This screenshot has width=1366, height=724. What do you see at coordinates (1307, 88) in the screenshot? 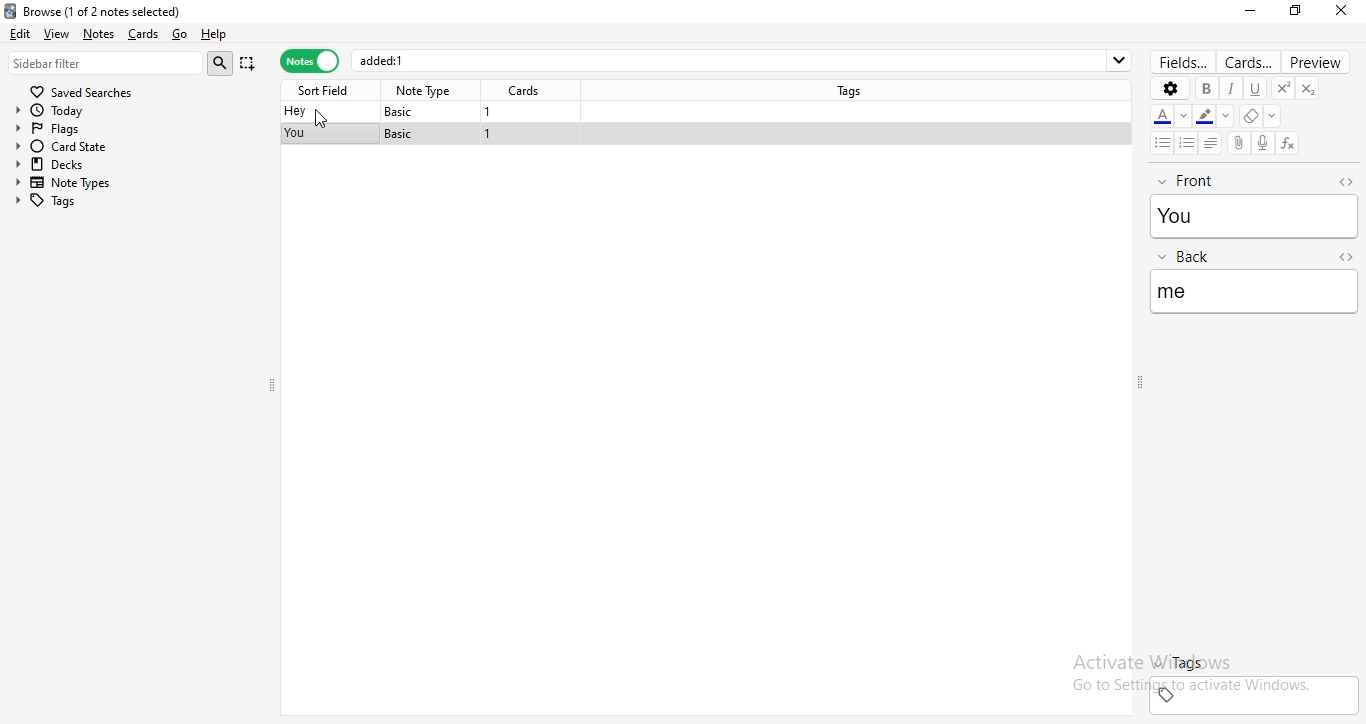
I see `subscript` at bounding box center [1307, 88].